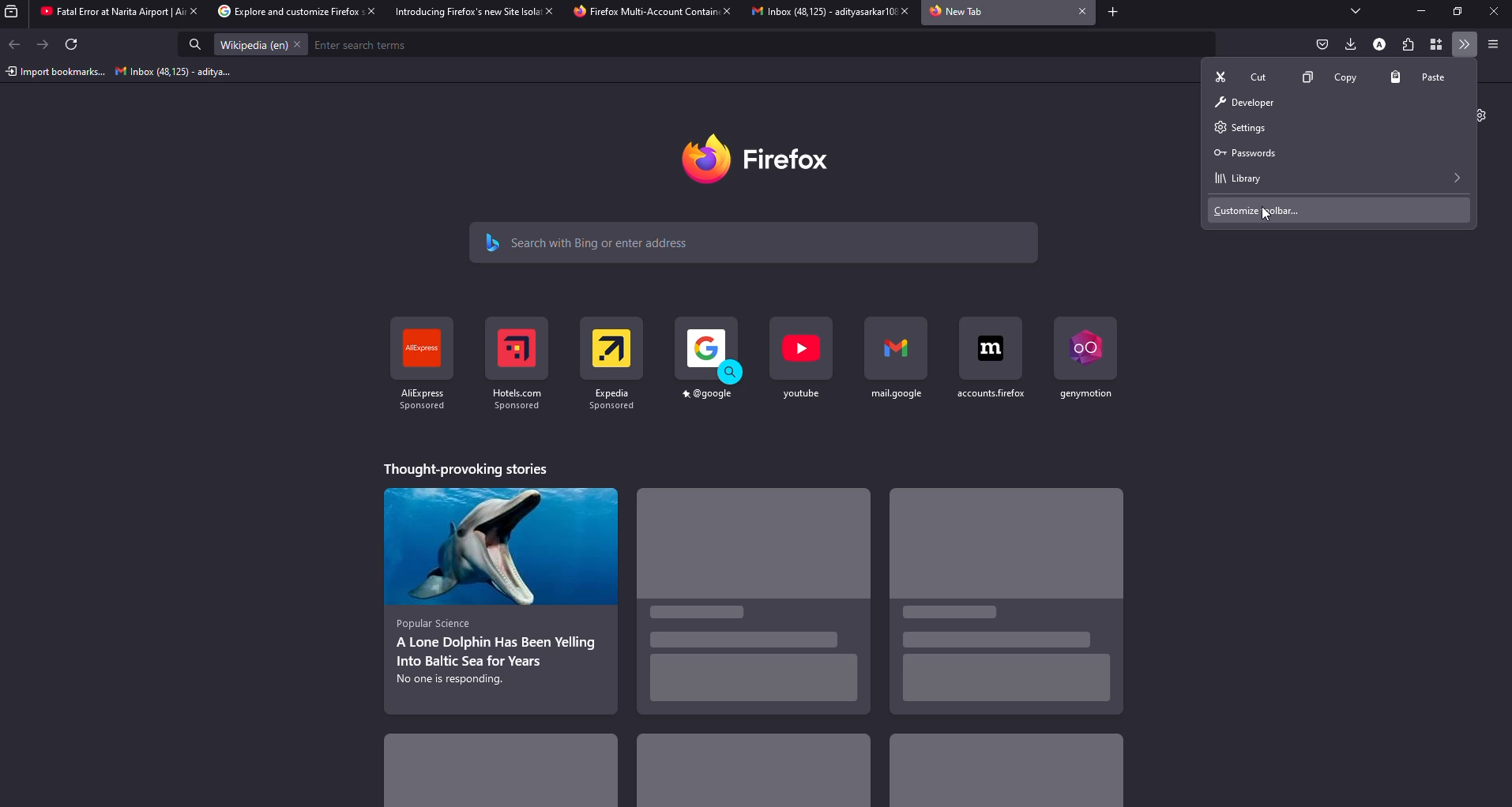  I want to click on library, so click(1237, 178).